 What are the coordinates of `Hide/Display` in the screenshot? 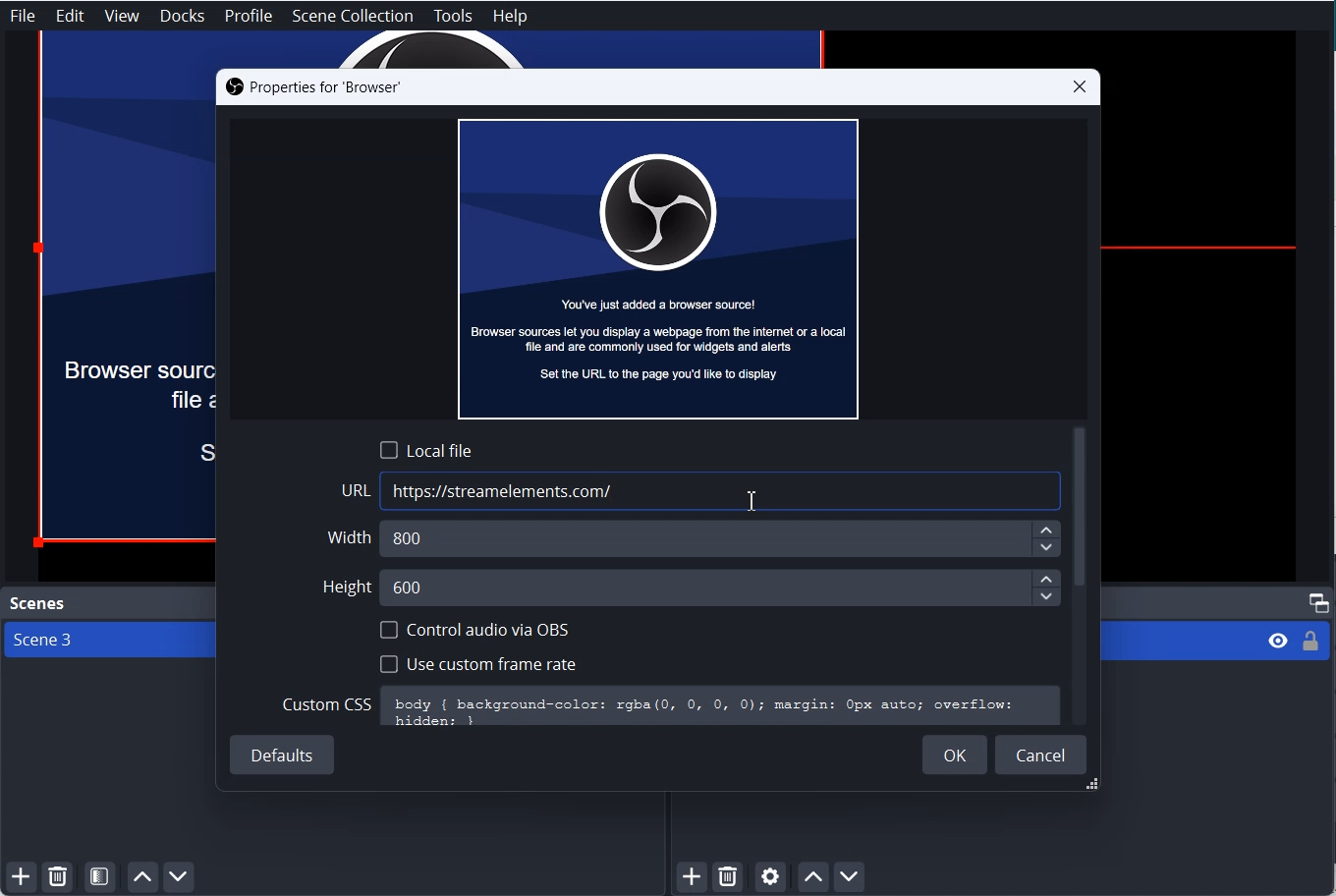 It's located at (1276, 642).